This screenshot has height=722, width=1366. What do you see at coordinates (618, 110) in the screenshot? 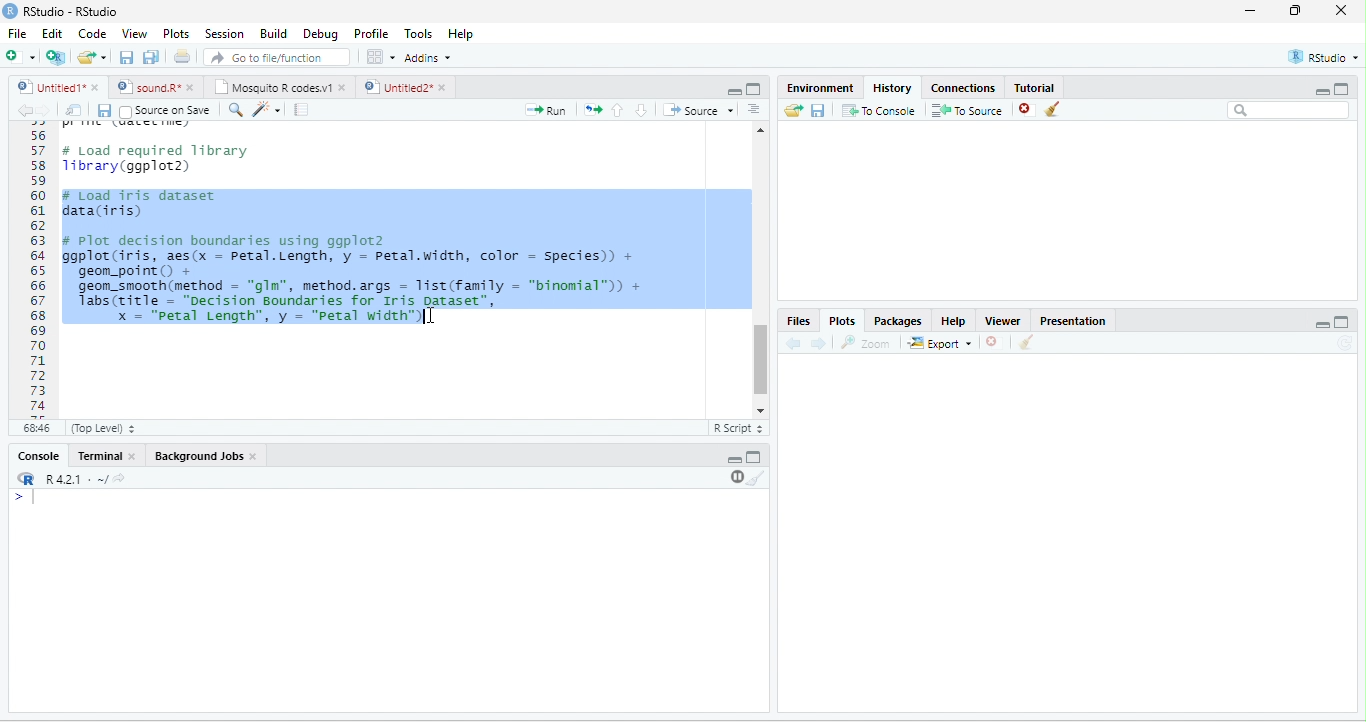
I see `up` at bounding box center [618, 110].